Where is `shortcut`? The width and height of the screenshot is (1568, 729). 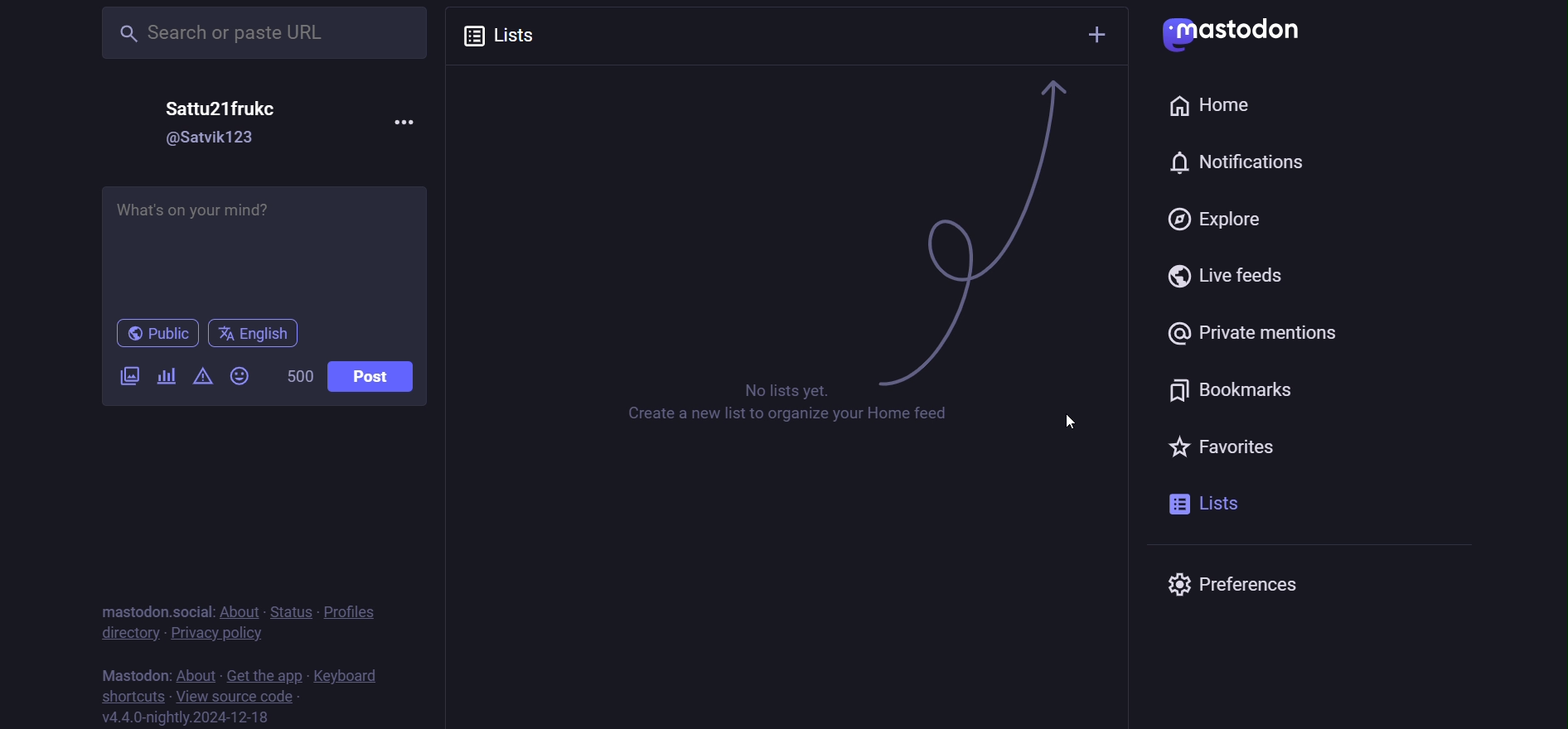
shortcut is located at coordinates (128, 696).